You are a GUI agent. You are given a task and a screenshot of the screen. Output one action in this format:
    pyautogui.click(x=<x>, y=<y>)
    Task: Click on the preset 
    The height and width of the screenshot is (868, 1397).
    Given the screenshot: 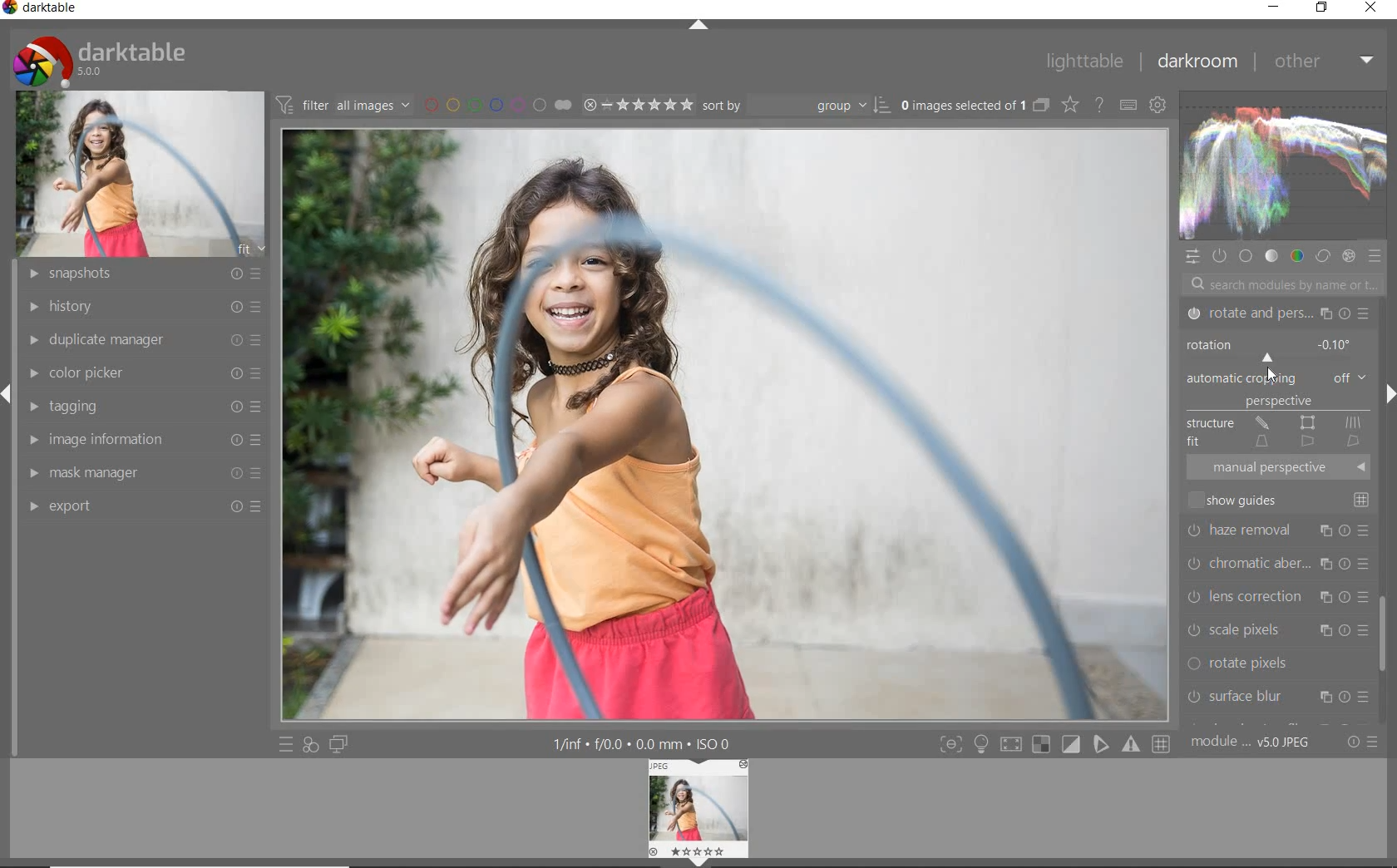 What is the action you would take?
    pyautogui.click(x=1375, y=258)
    